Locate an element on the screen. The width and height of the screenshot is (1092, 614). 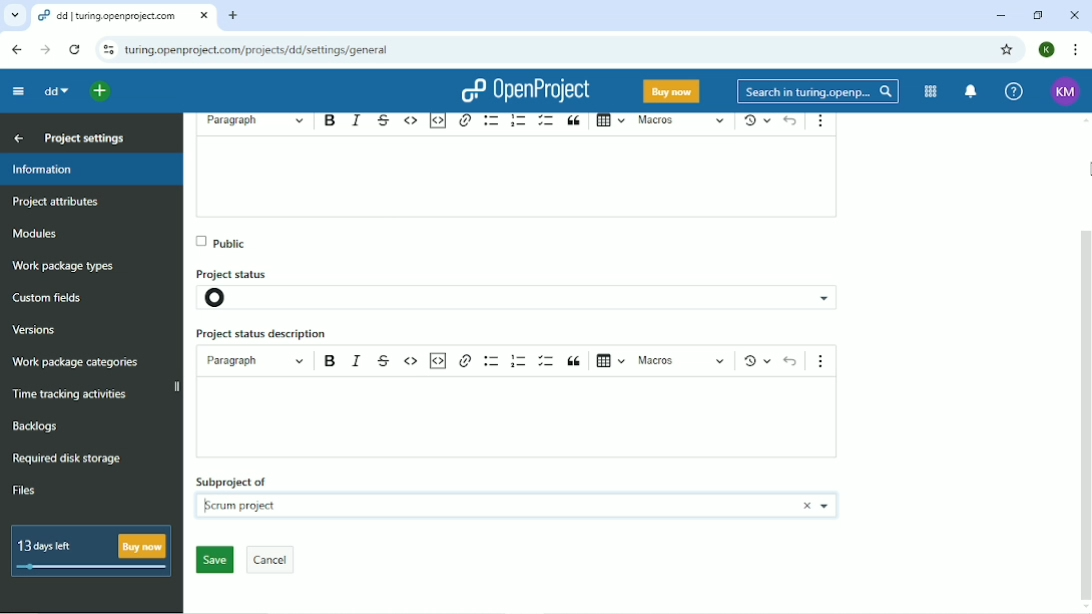
Help is located at coordinates (1014, 91).